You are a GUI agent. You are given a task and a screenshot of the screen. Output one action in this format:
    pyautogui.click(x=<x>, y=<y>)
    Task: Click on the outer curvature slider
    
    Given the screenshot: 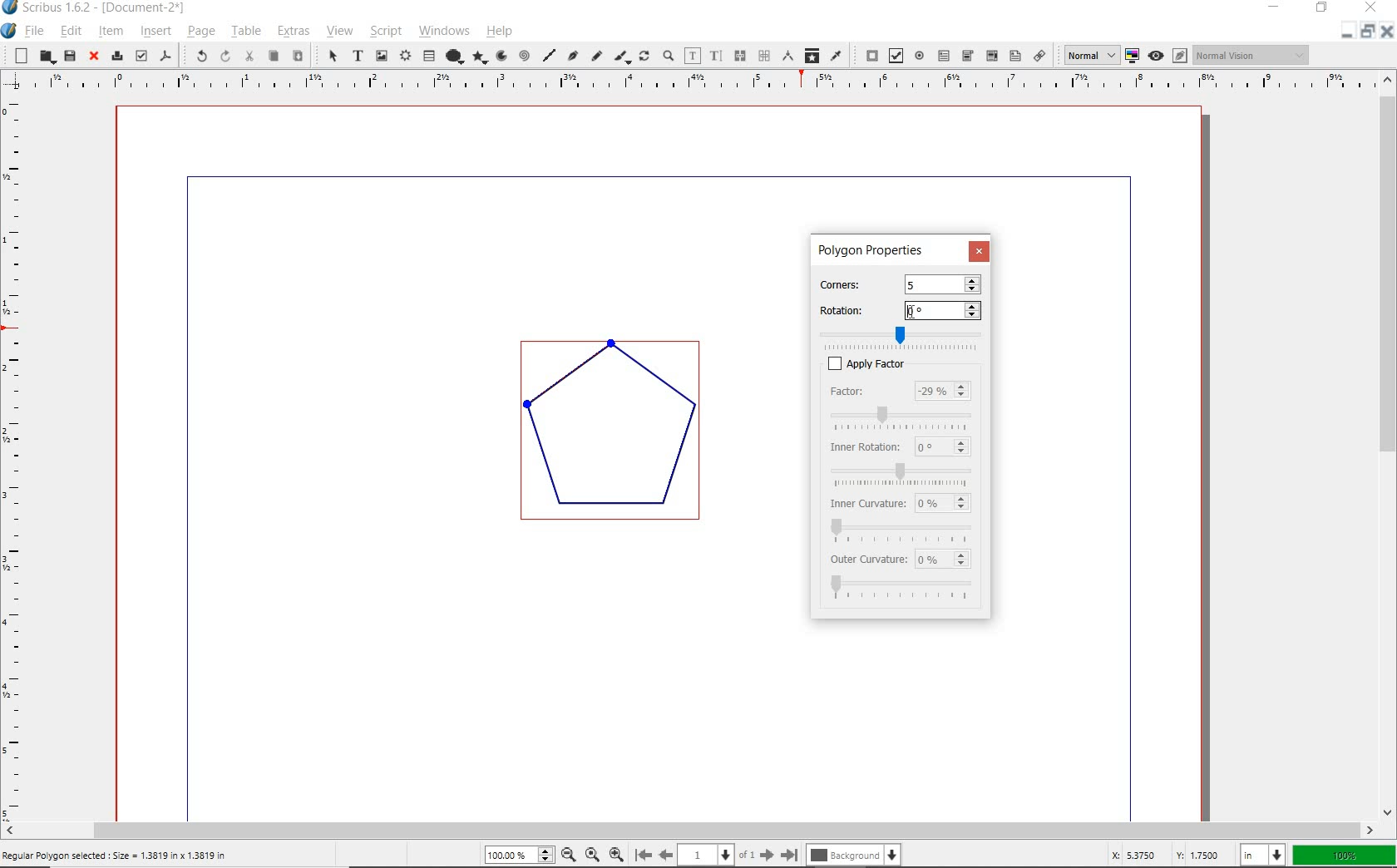 What is the action you would take?
    pyautogui.click(x=904, y=589)
    